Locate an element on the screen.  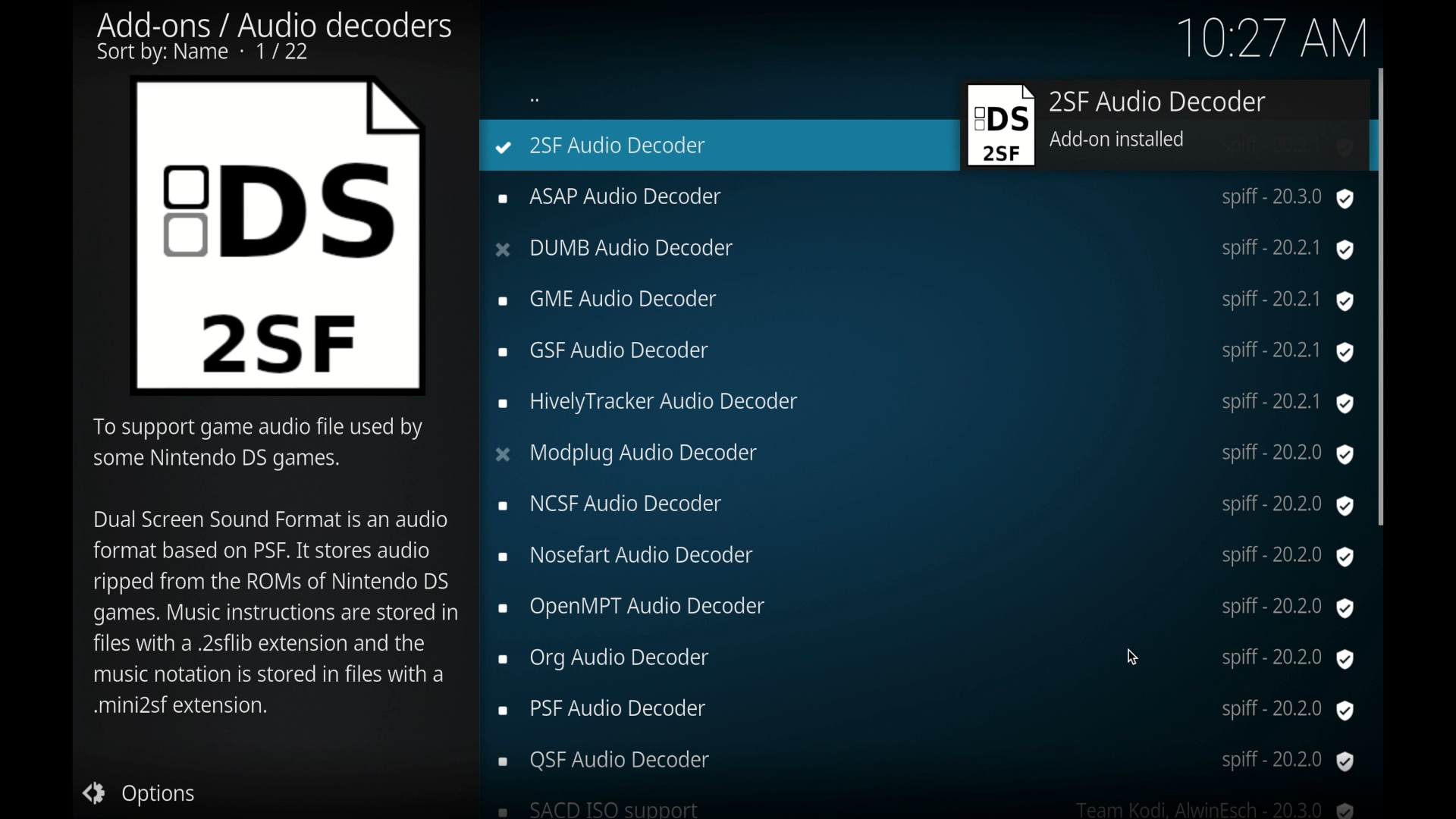
tick mark is located at coordinates (504, 148).